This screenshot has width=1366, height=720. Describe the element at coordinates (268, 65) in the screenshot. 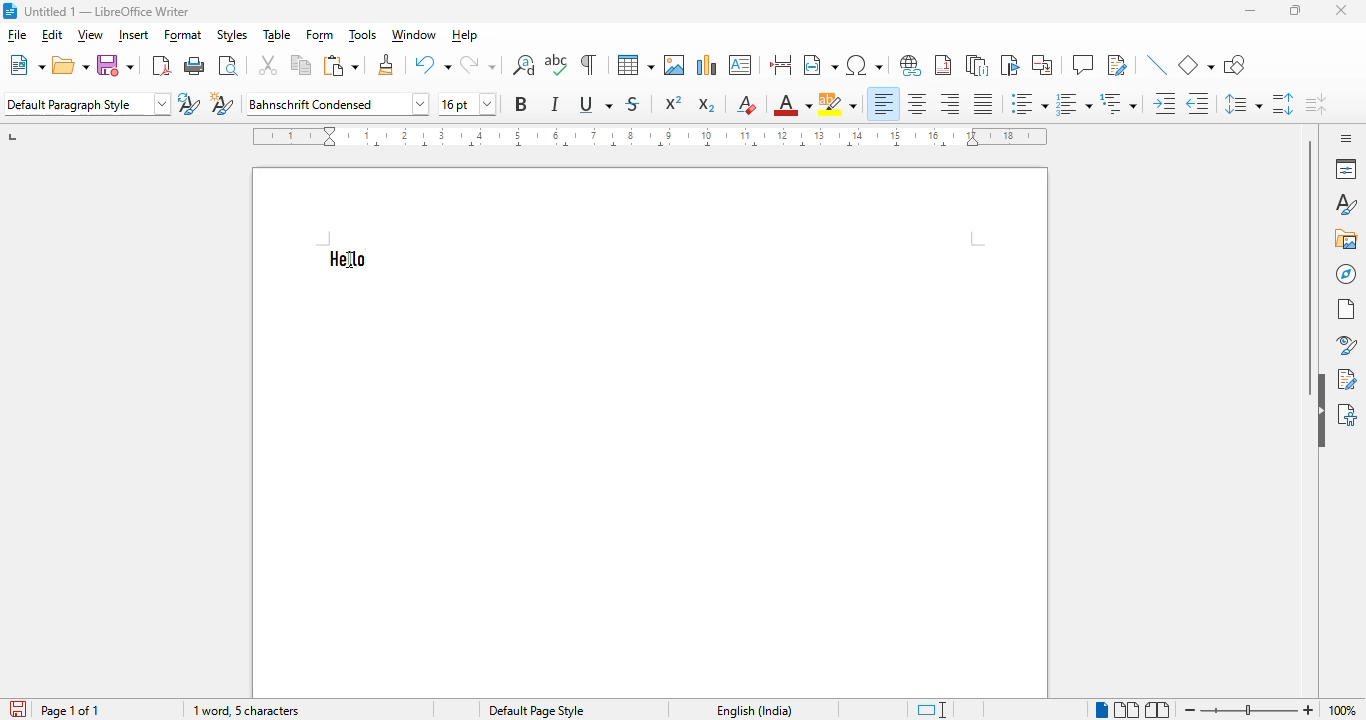

I see `cut` at that location.